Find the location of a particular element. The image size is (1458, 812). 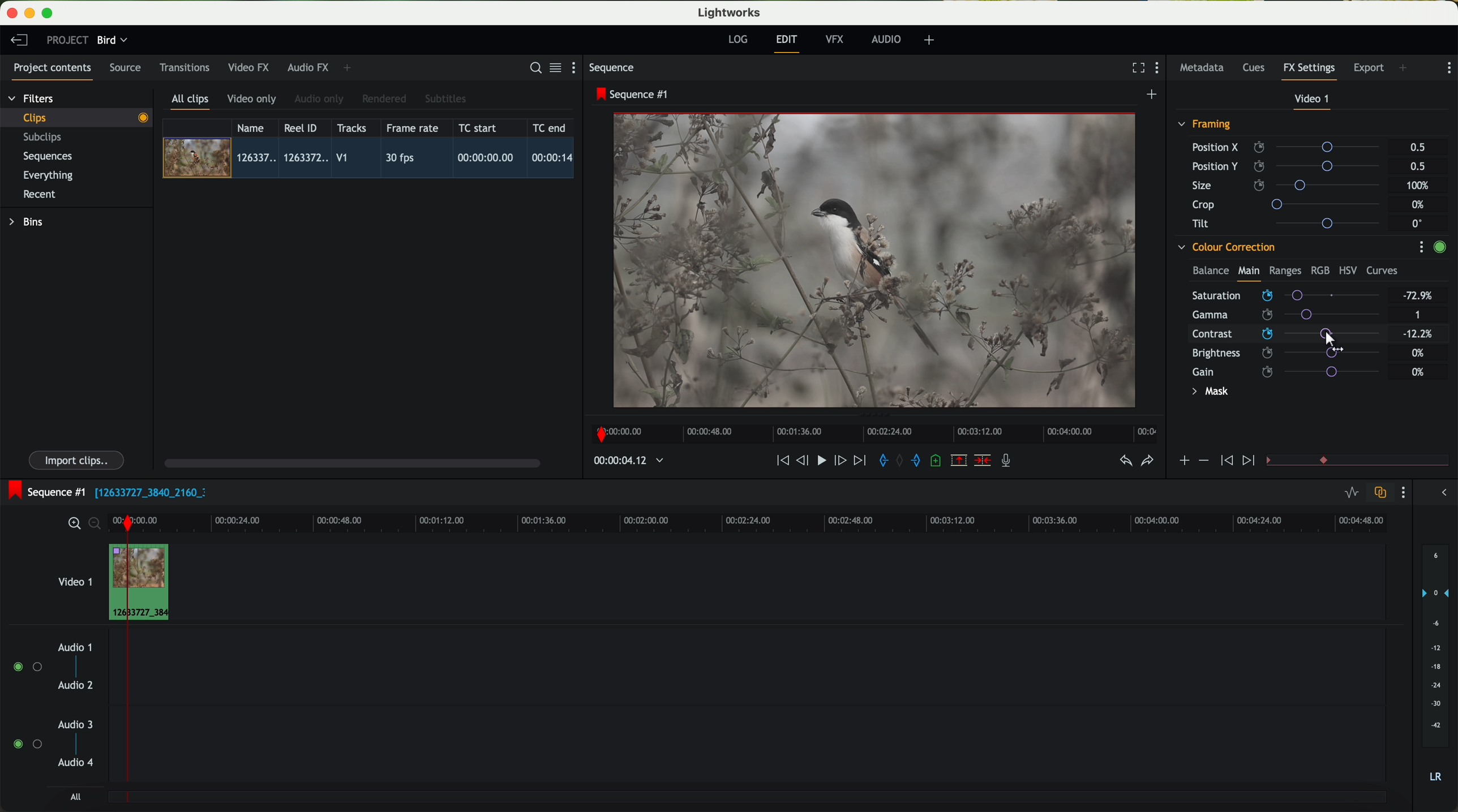

brightness is located at coordinates (1293, 353).